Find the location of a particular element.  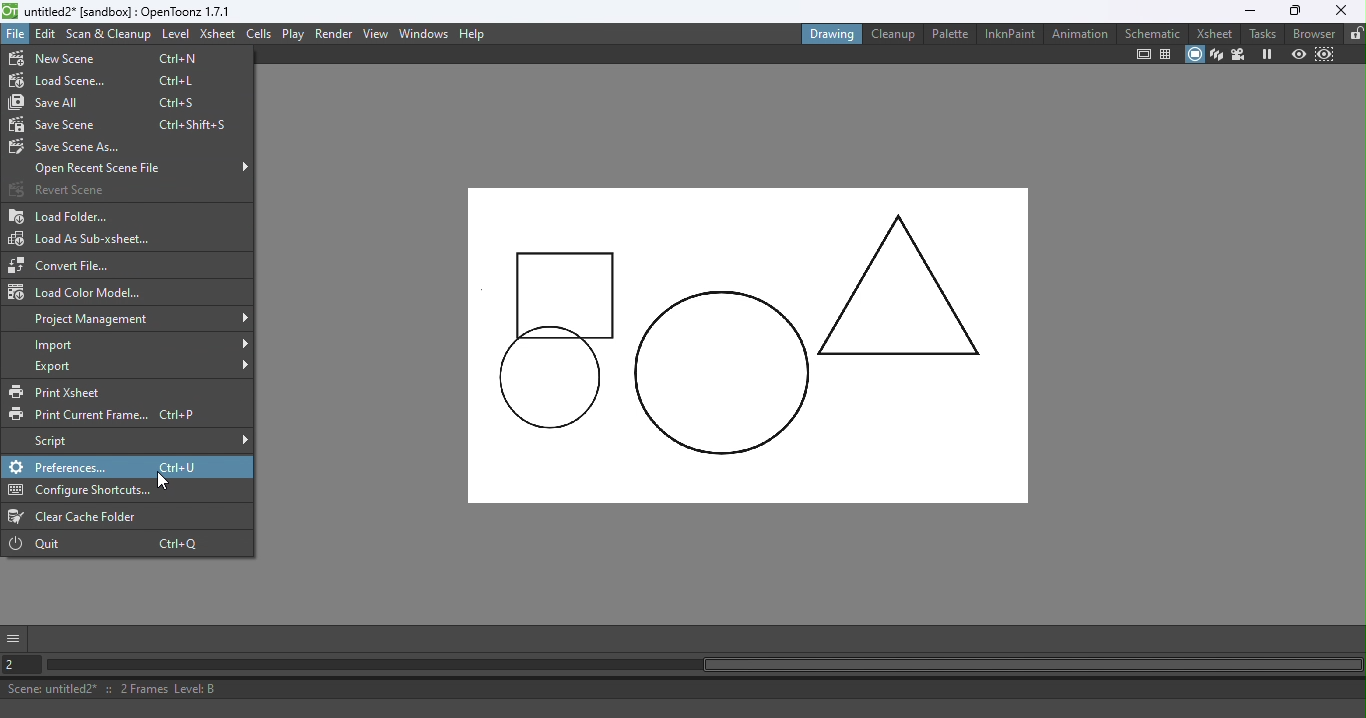

Load folder is located at coordinates (65, 215).